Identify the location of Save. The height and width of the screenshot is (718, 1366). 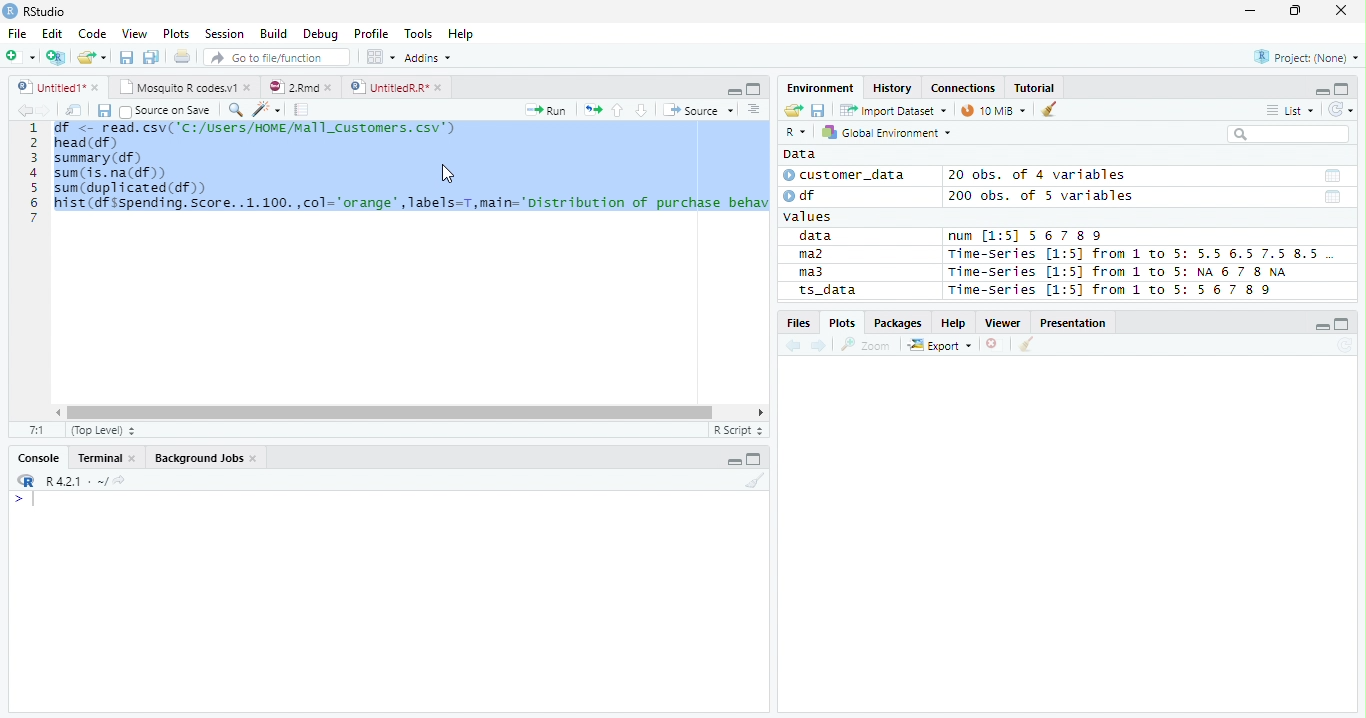
(126, 56).